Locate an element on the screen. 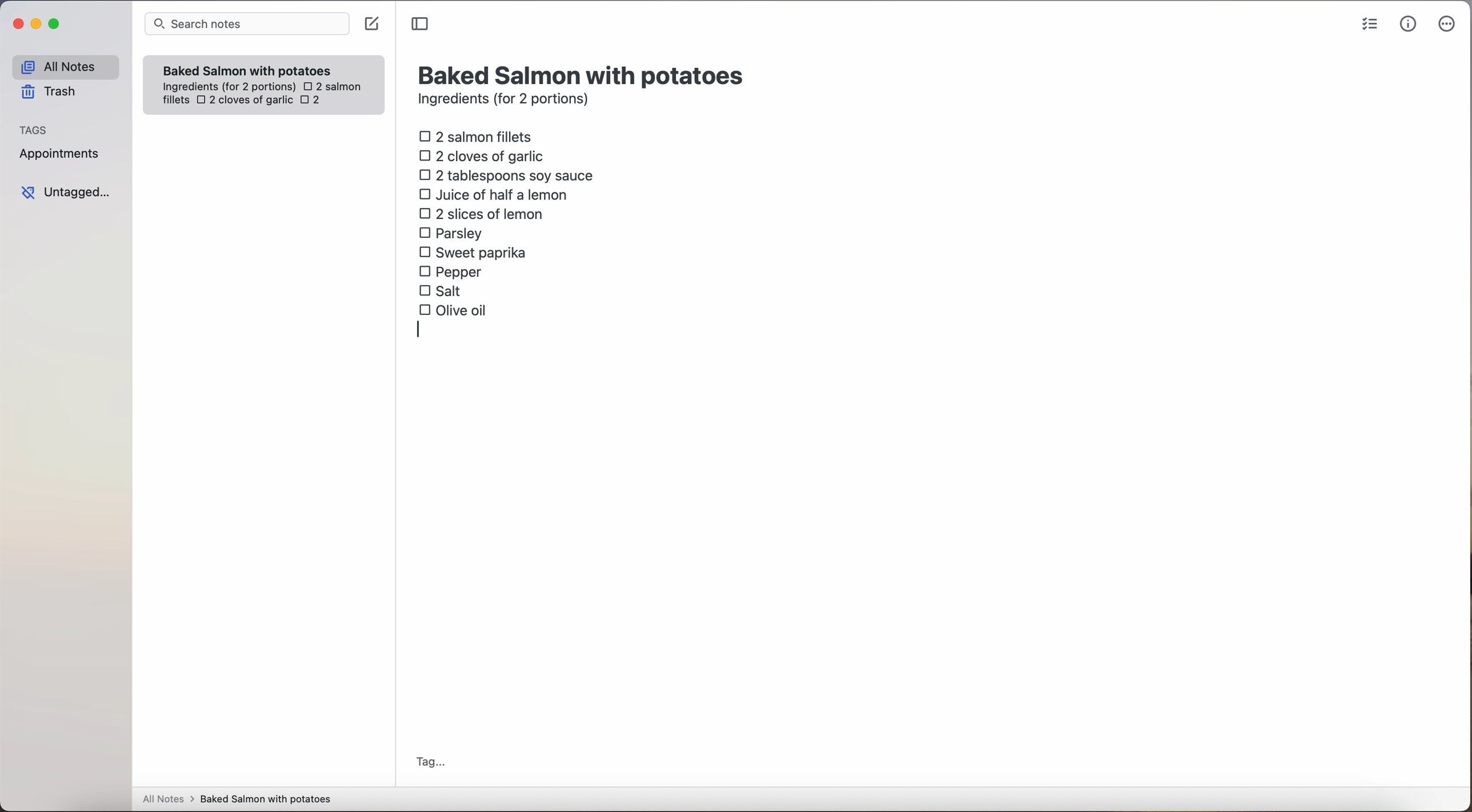 Image resolution: width=1472 pixels, height=812 pixels. sweet paprika is located at coordinates (475, 253).